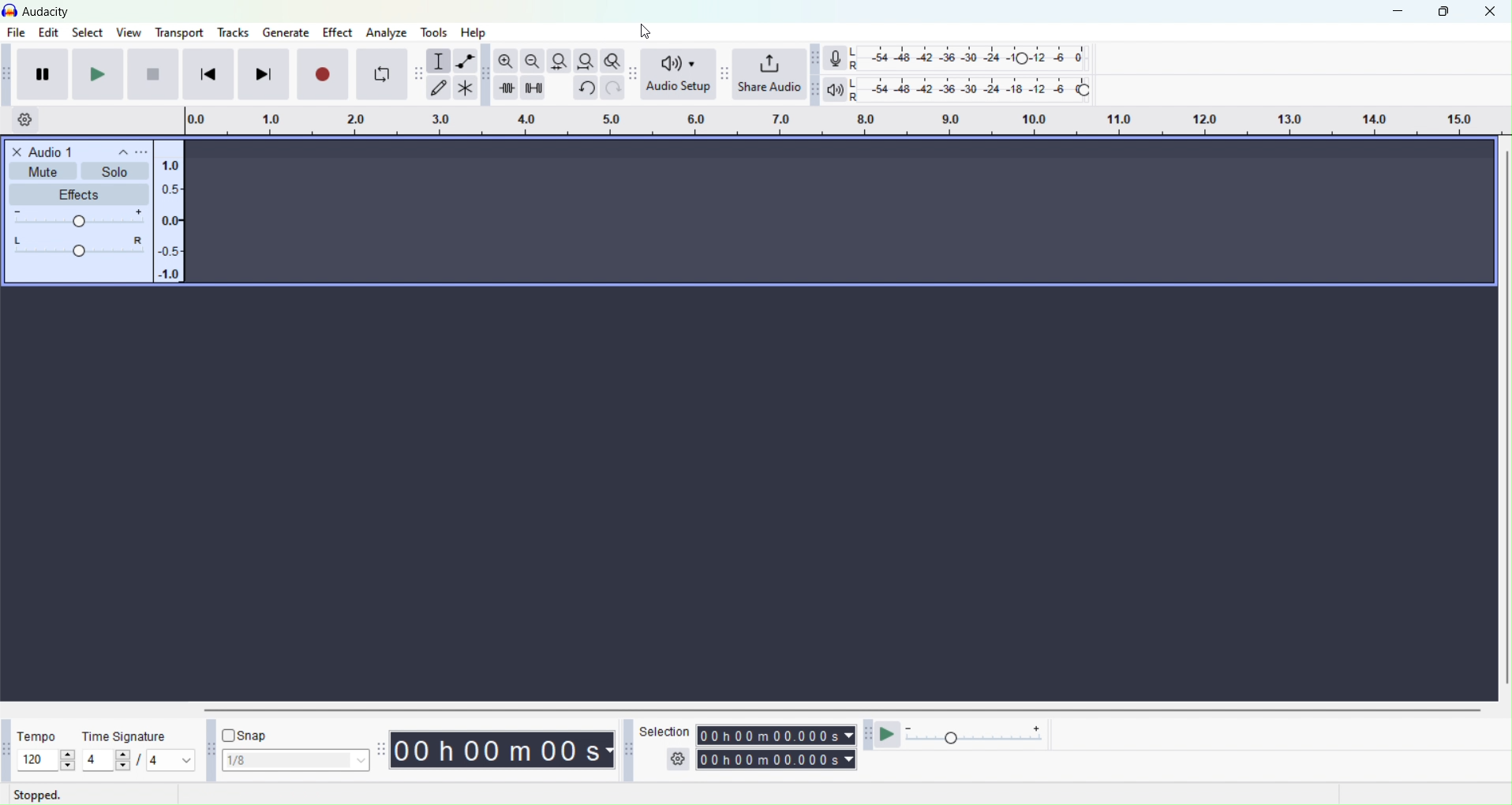 This screenshot has width=1512, height=805. What do you see at coordinates (437, 59) in the screenshot?
I see `Selection tool` at bounding box center [437, 59].